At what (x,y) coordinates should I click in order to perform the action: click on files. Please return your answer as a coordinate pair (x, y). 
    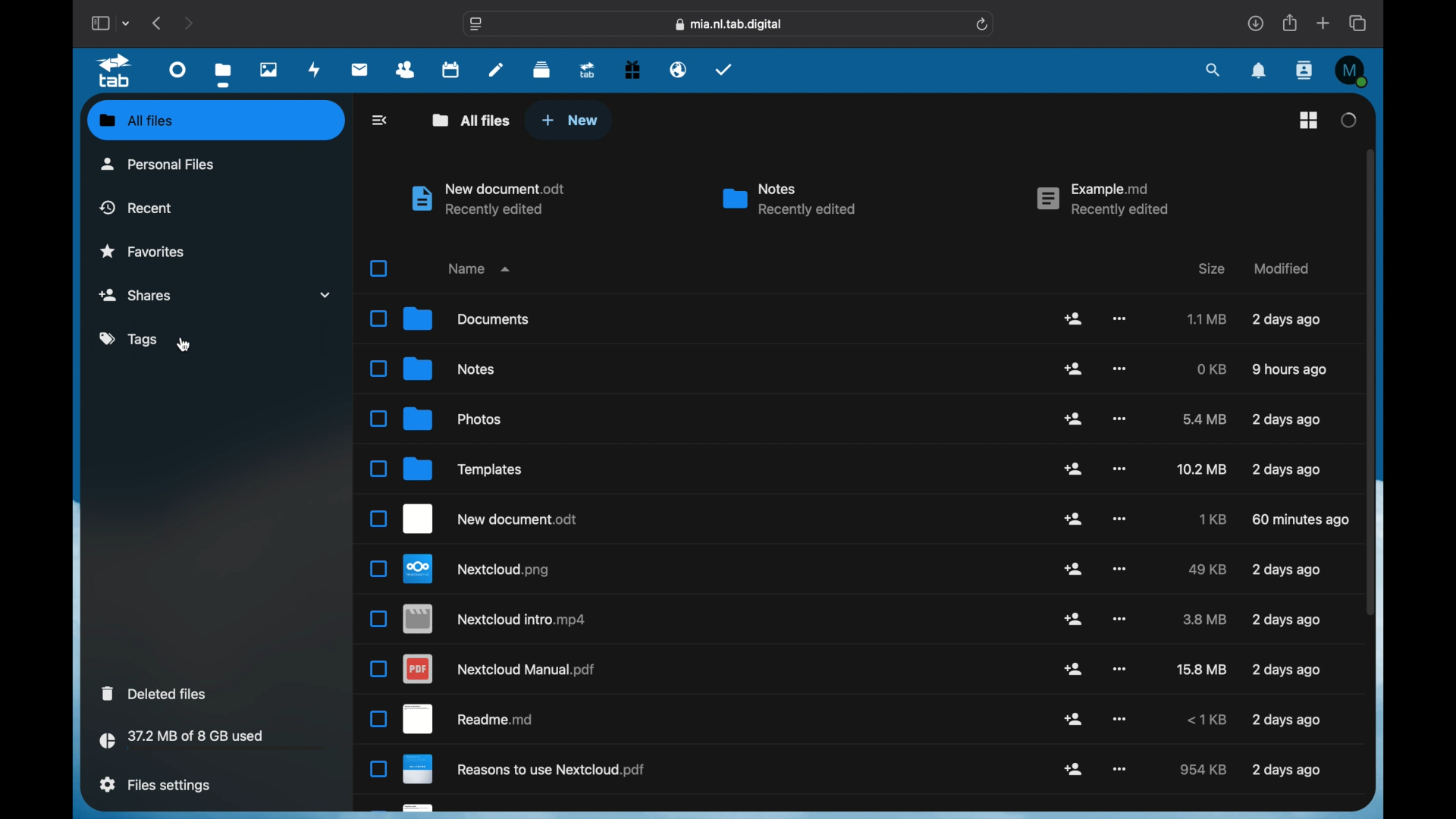
    Looking at the image, I should click on (226, 75).